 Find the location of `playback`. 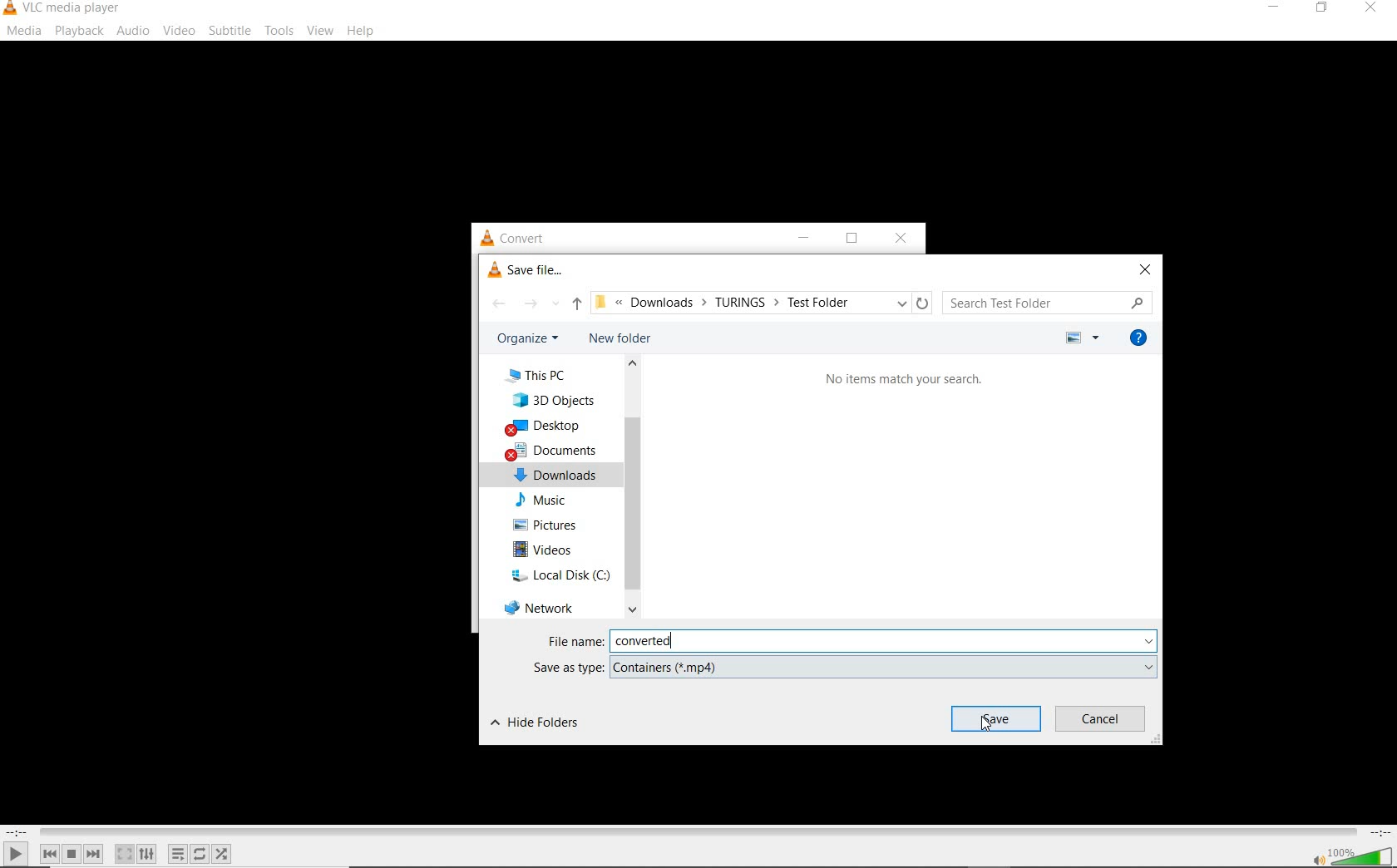

playback is located at coordinates (79, 31).